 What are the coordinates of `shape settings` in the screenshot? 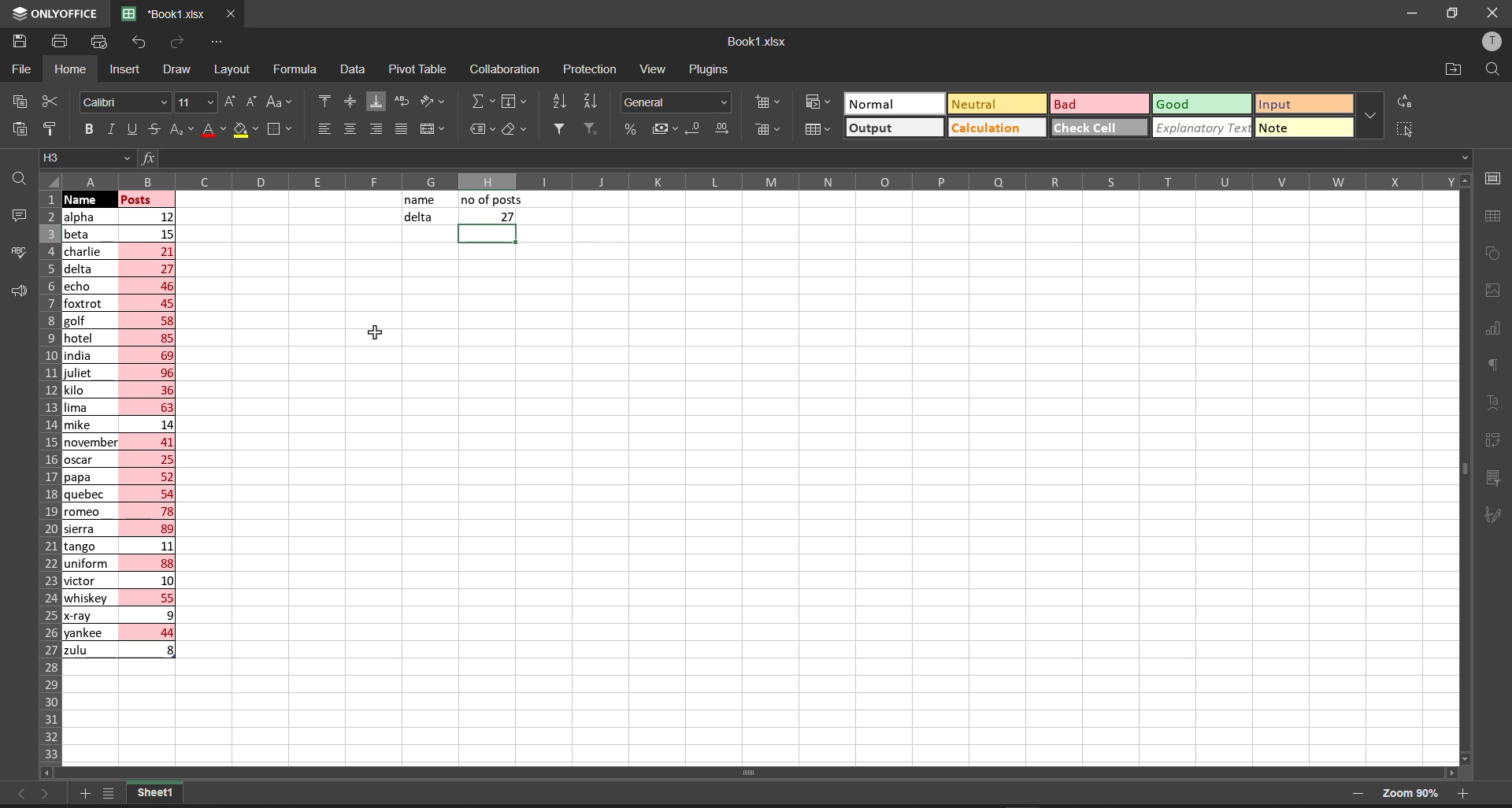 It's located at (1496, 254).